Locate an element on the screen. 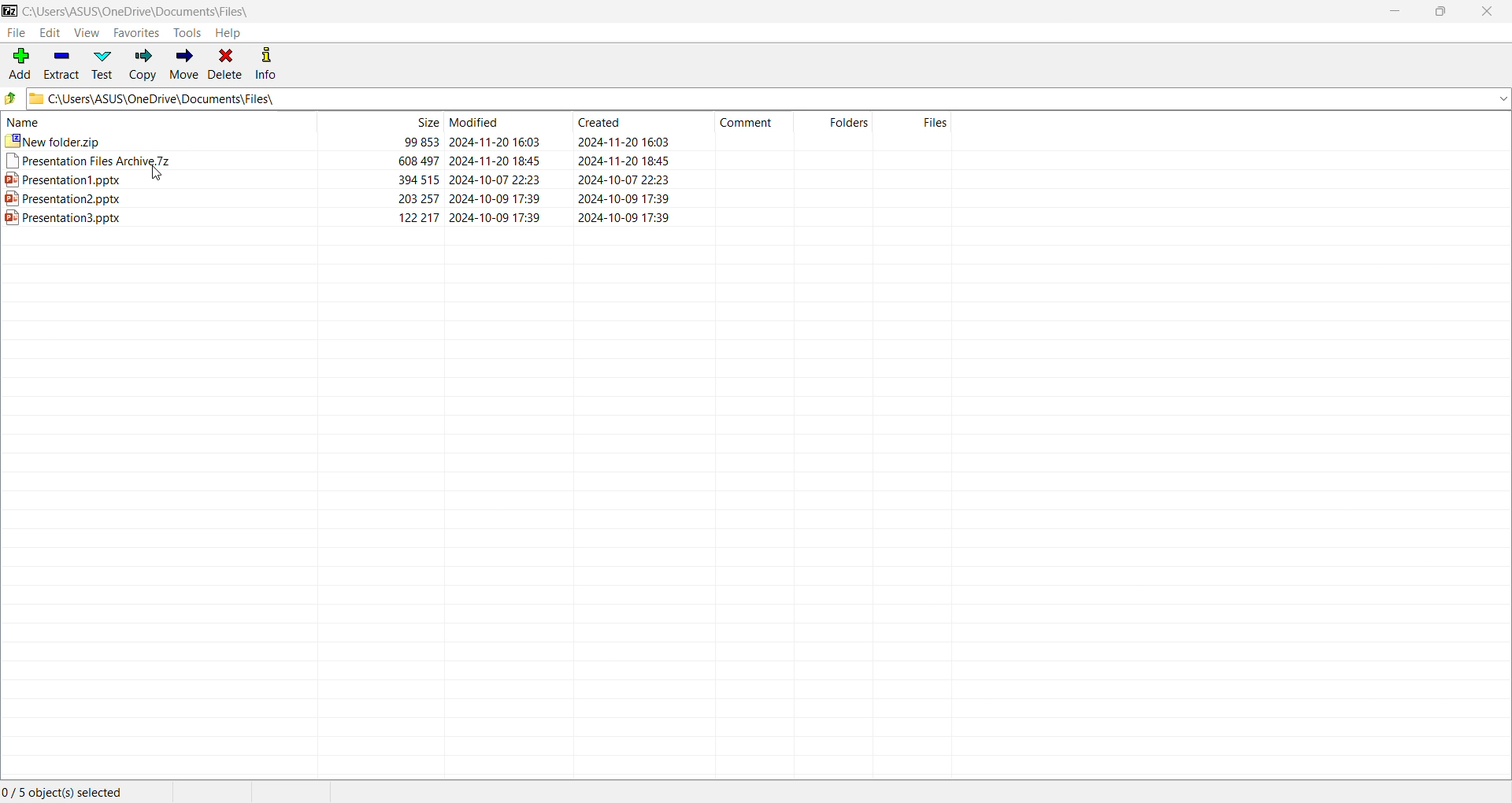 This screenshot has width=1512, height=803. ppt2 is located at coordinates (474, 198).